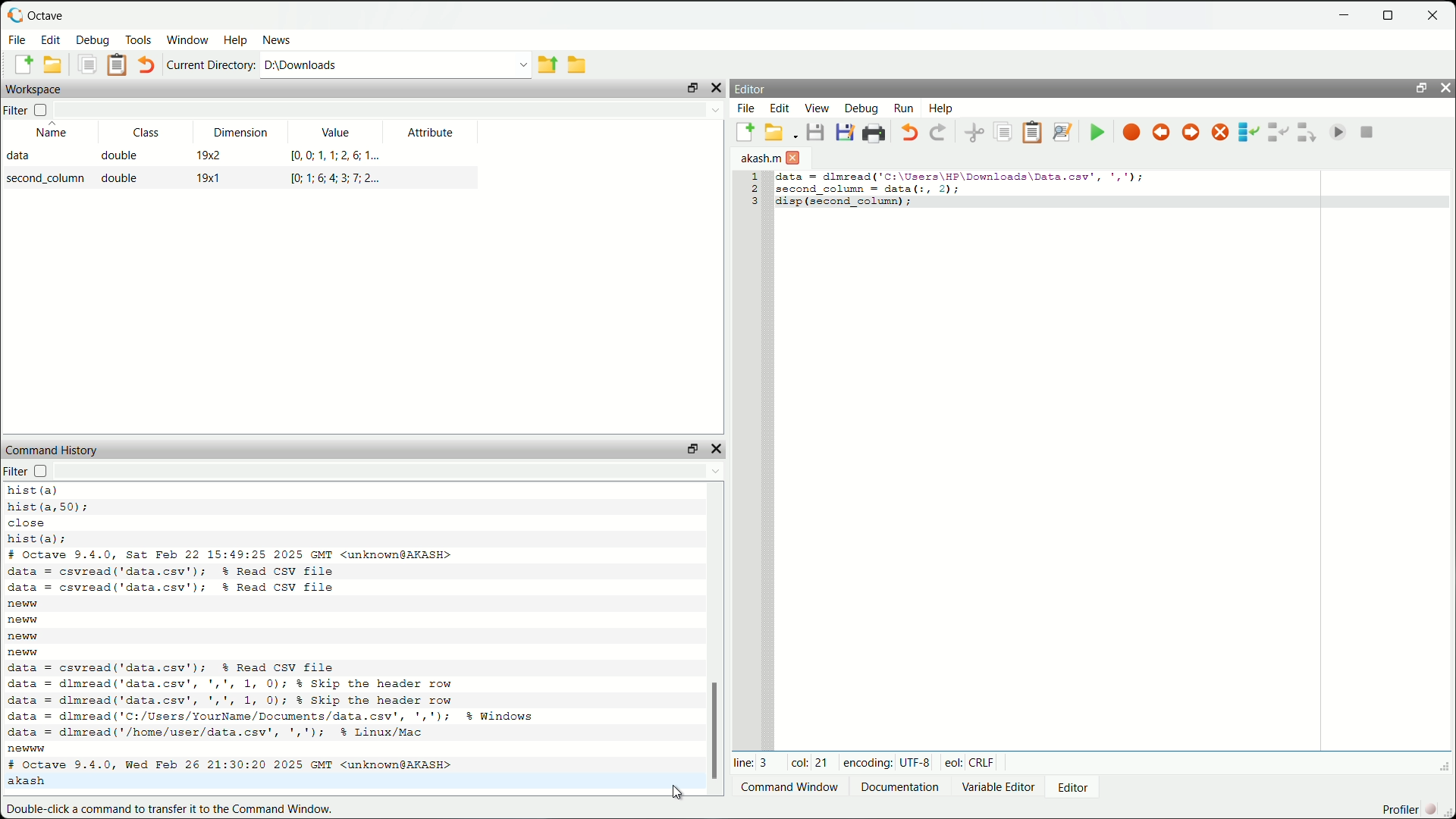 The image size is (1456, 819). What do you see at coordinates (1446, 88) in the screenshot?
I see `hide widget` at bounding box center [1446, 88].